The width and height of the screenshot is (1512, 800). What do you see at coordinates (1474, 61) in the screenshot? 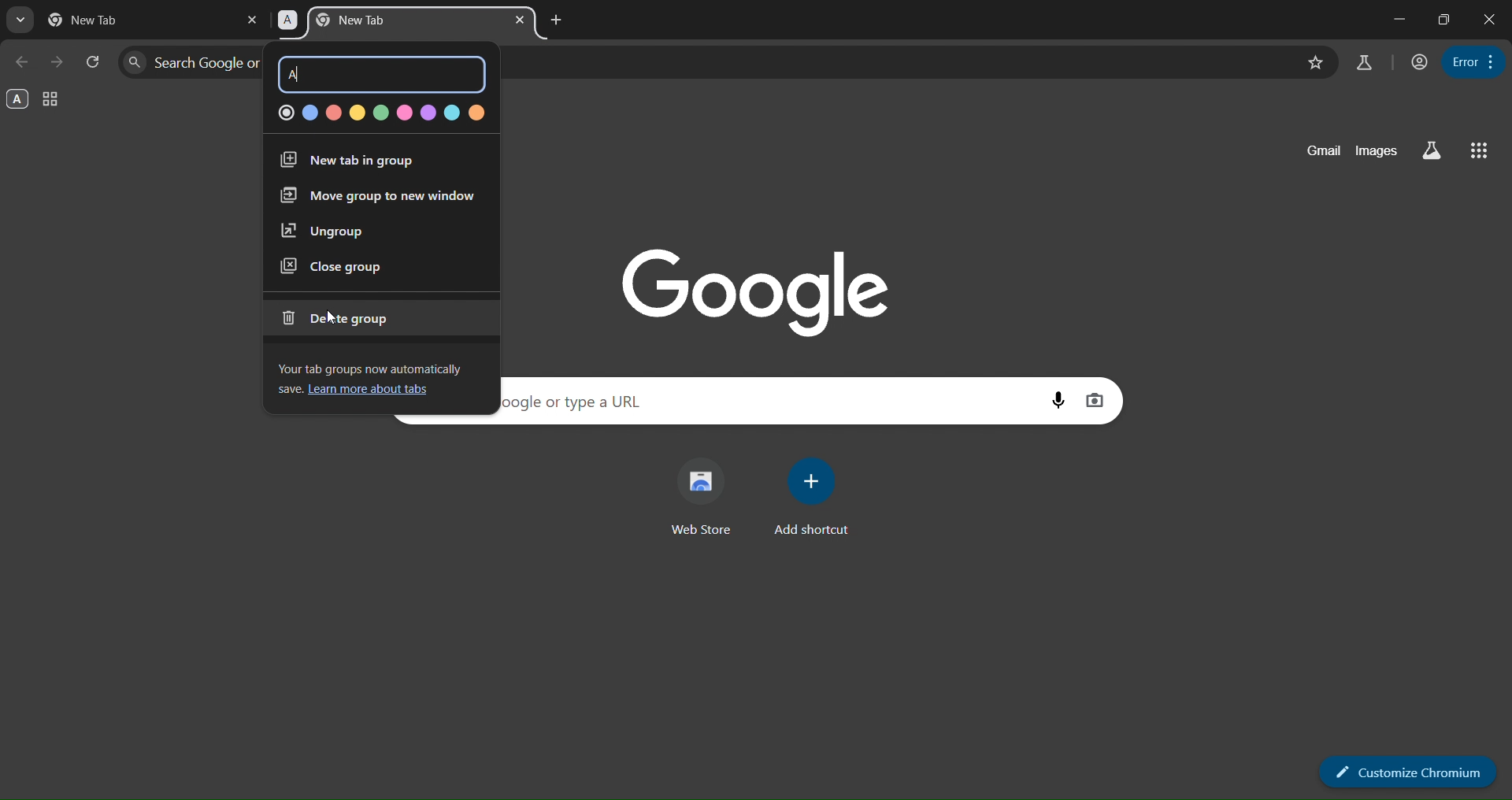
I see `menu` at bounding box center [1474, 61].